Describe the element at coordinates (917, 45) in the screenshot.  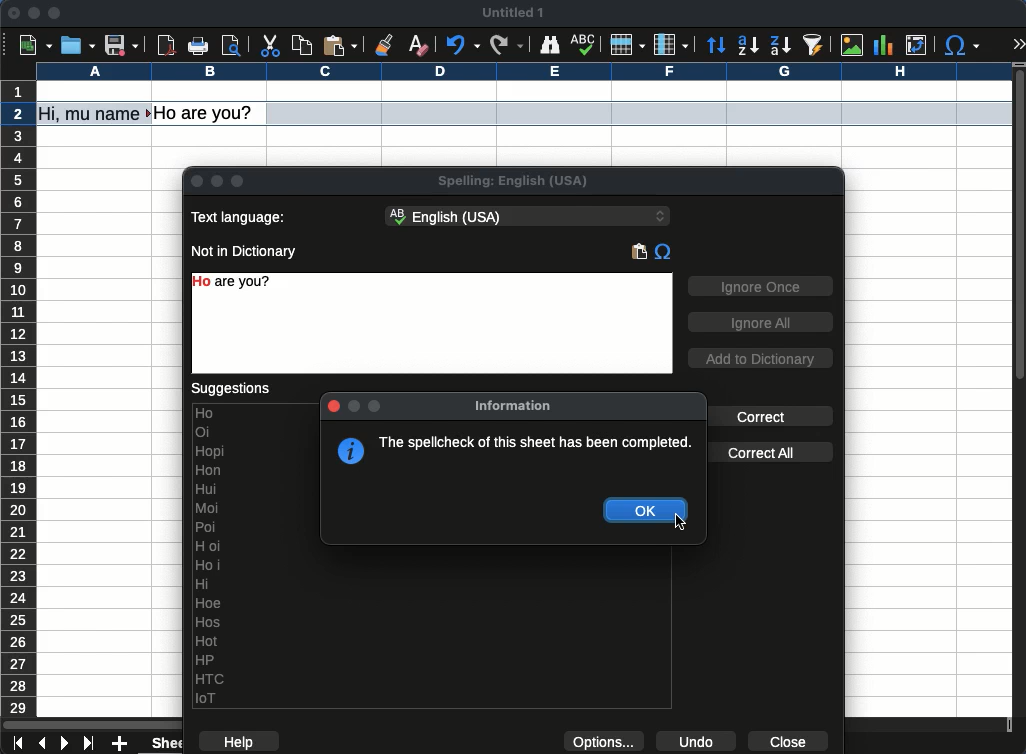
I see `pivot table` at that location.